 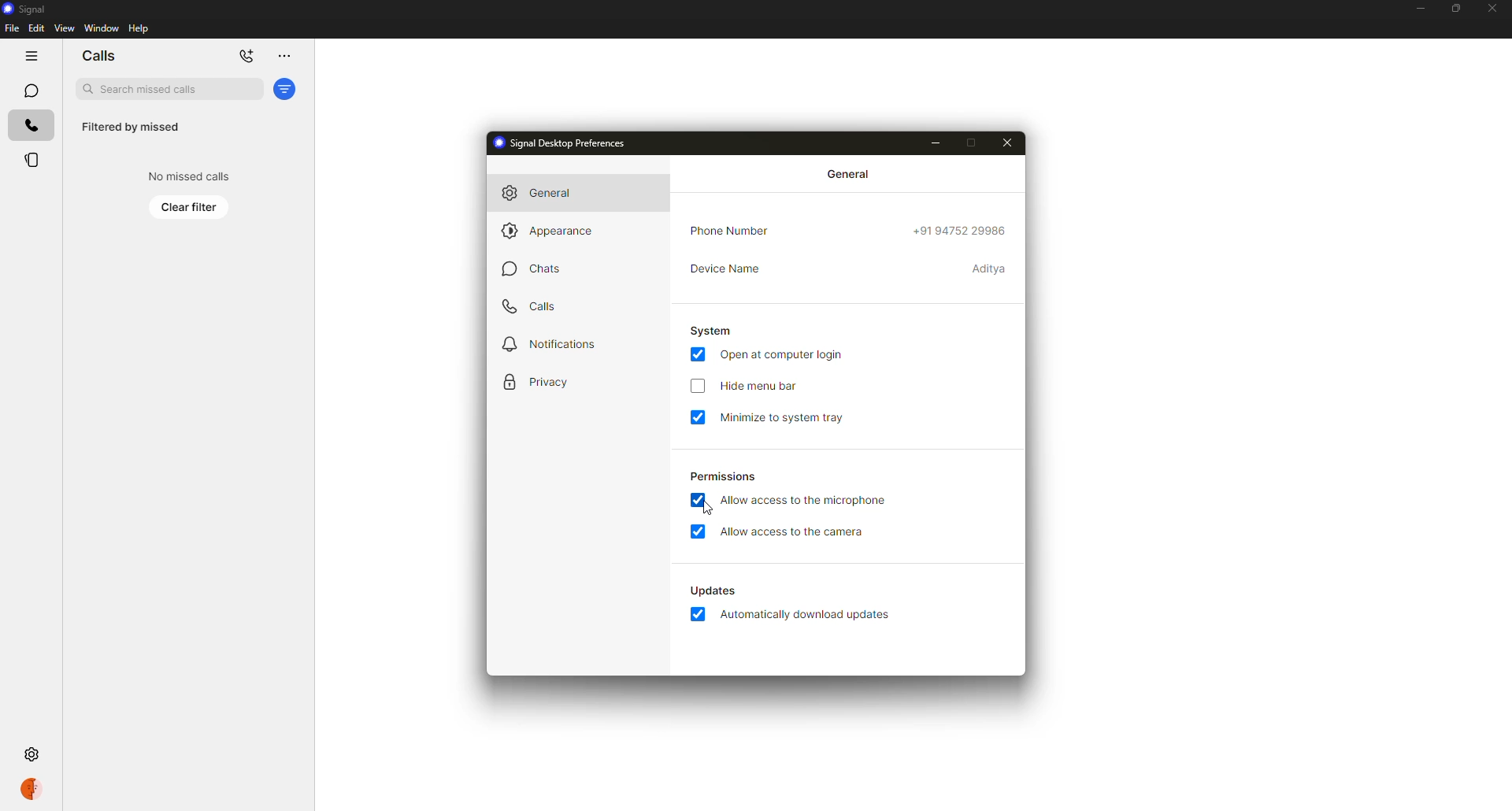 I want to click on filter, so click(x=285, y=89).